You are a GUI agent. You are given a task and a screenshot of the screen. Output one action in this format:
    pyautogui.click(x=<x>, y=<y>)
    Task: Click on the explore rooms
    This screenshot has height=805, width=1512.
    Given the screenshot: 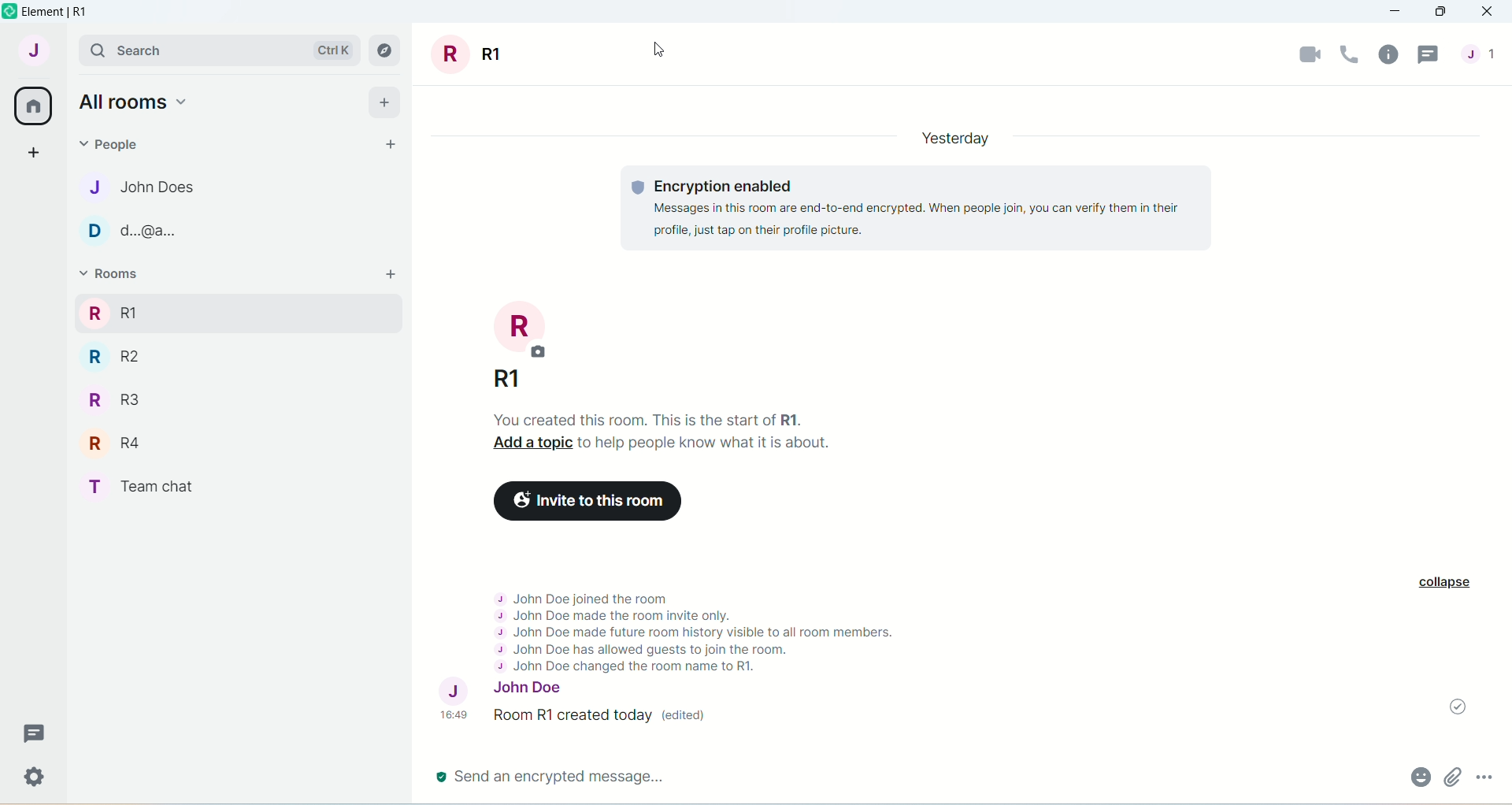 What is the action you would take?
    pyautogui.click(x=386, y=54)
    